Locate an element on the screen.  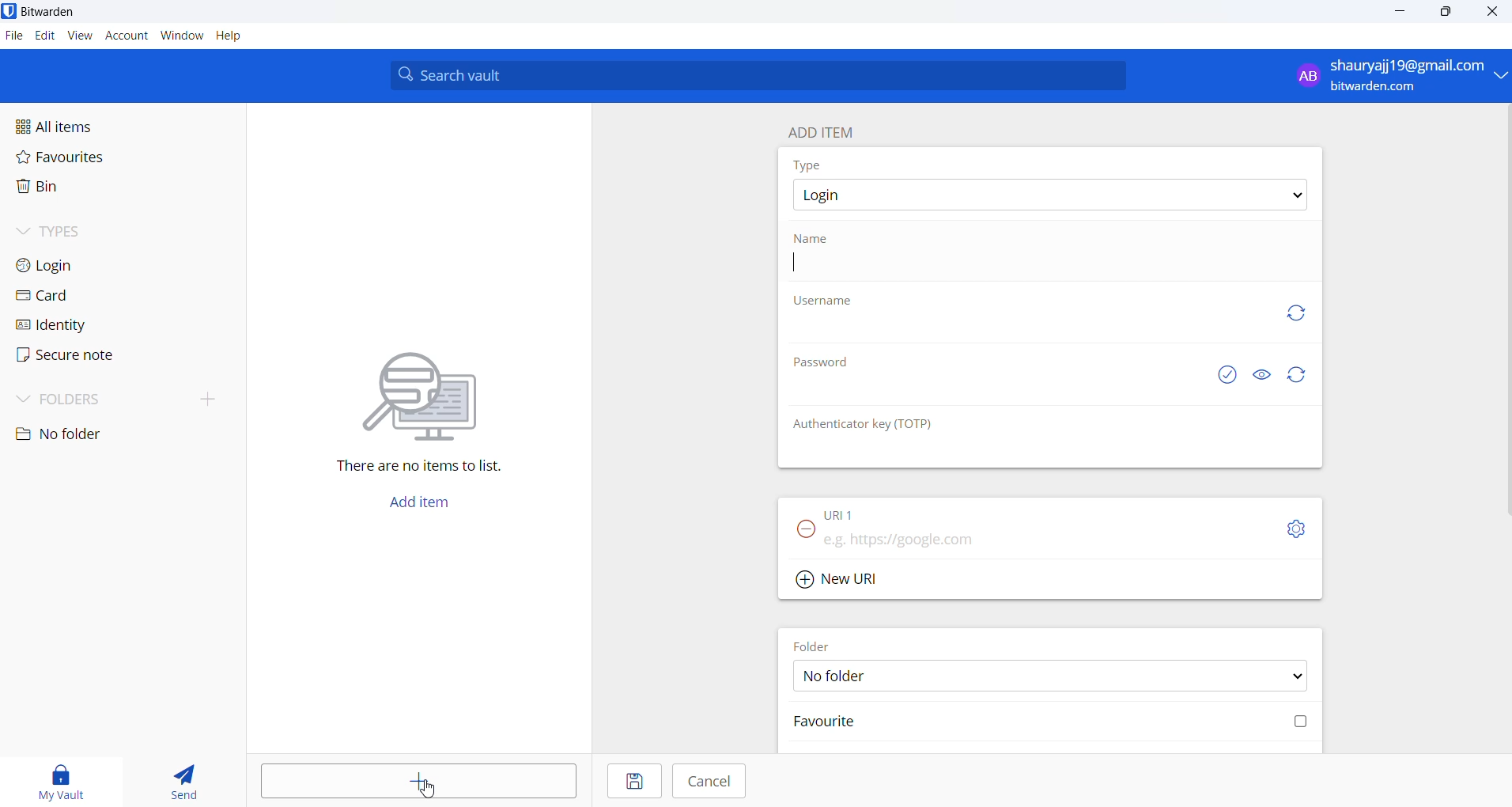
Authenticator key (TOTP) is located at coordinates (879, 426).